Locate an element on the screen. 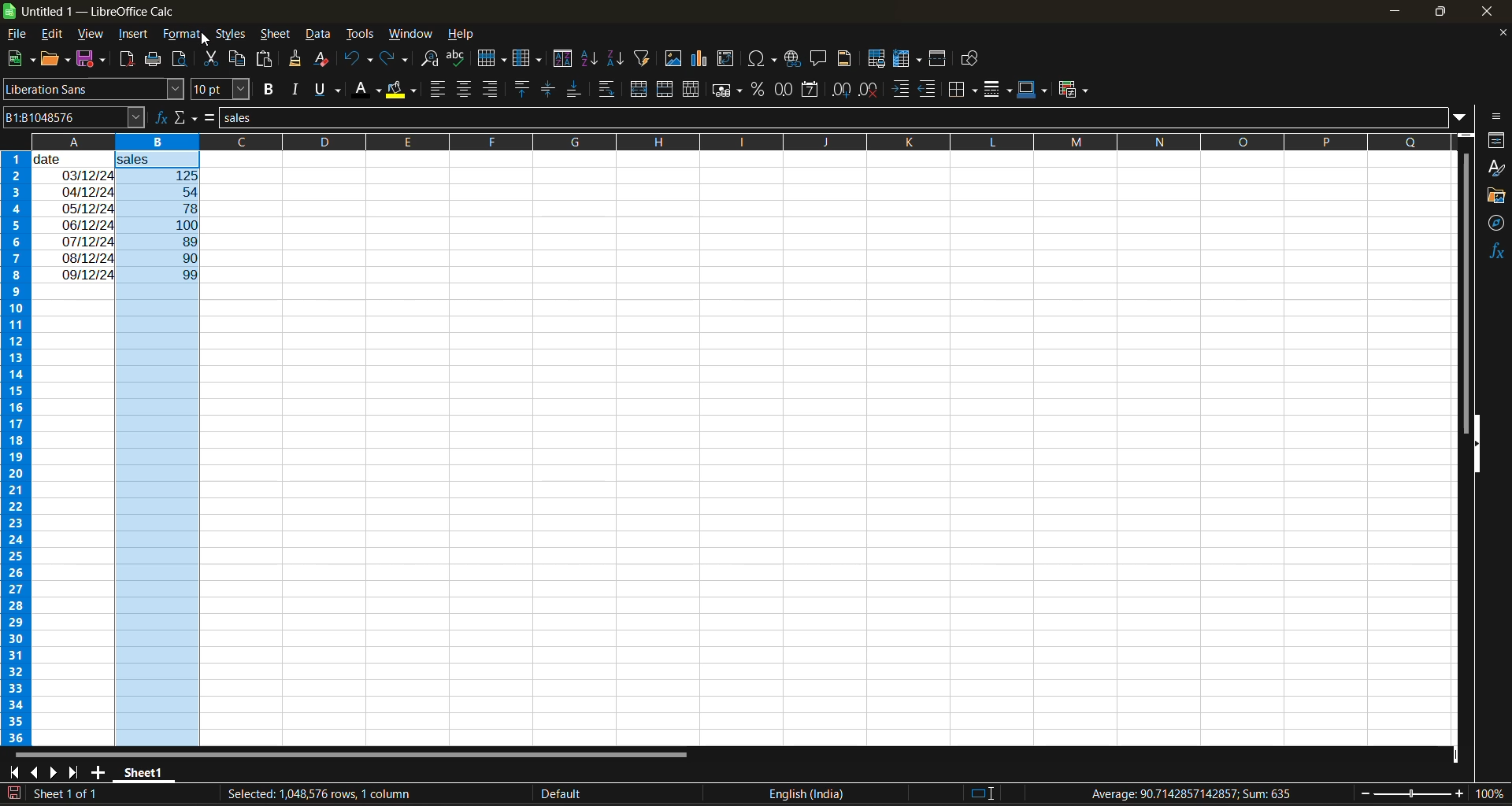 The height and width of the screenshot is (806, 1512). freeze rows and columns is located at coordinates (907, 60).